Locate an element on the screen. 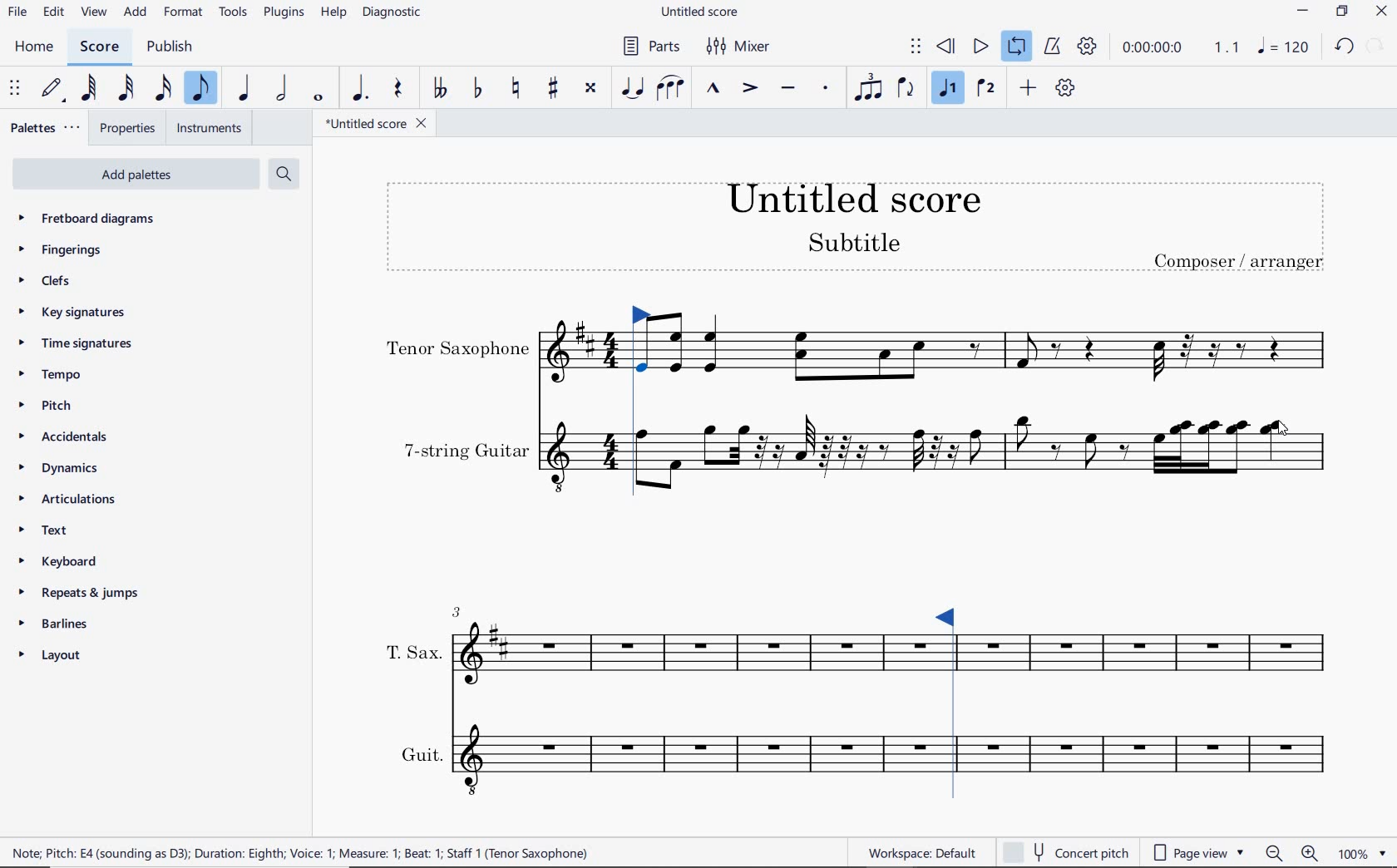 The image size is (1397, 868). TUPLET is located at coordinates (866, 88).